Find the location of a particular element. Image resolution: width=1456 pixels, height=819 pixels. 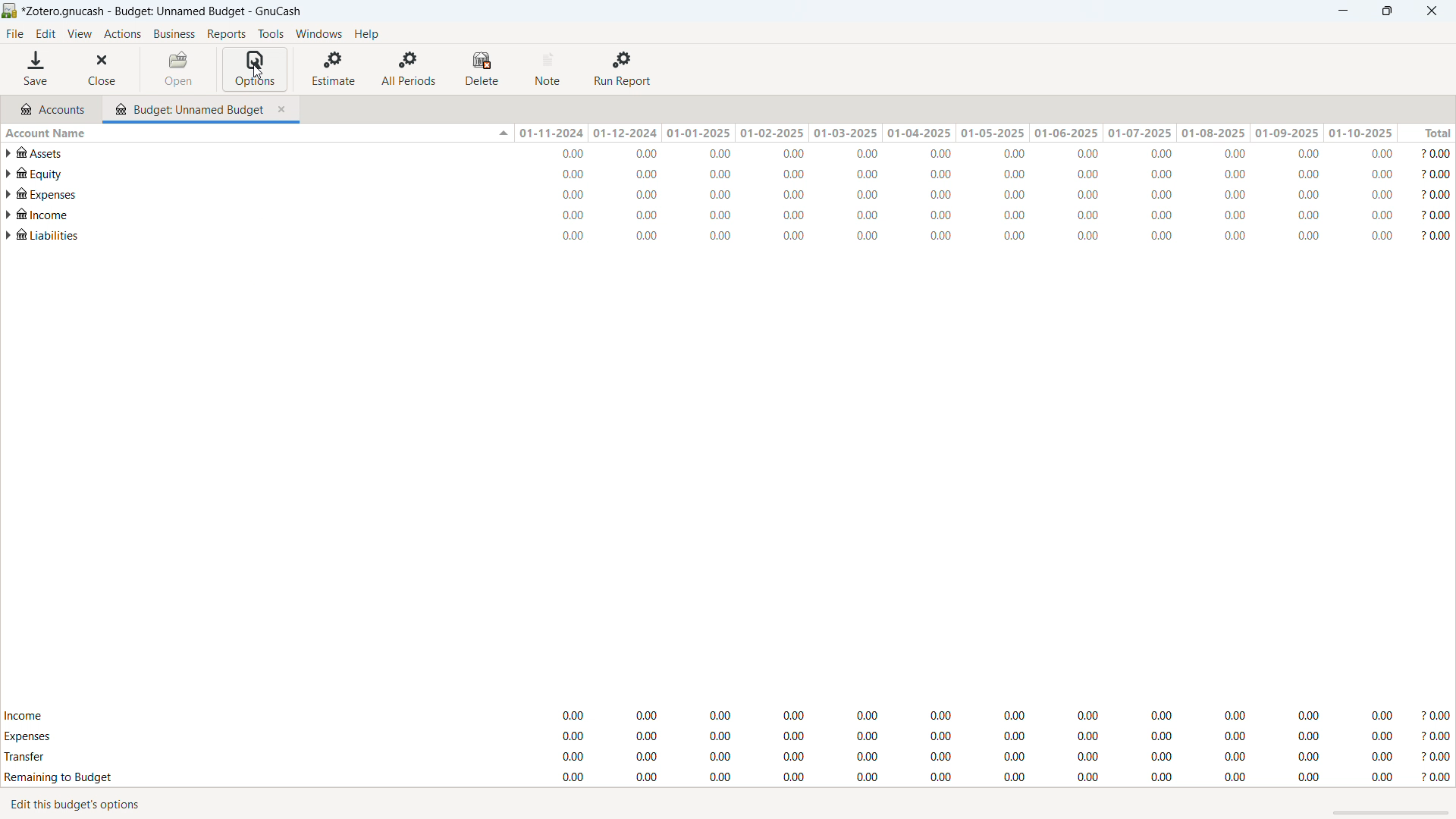

actions is located at coordinates (122, 34).